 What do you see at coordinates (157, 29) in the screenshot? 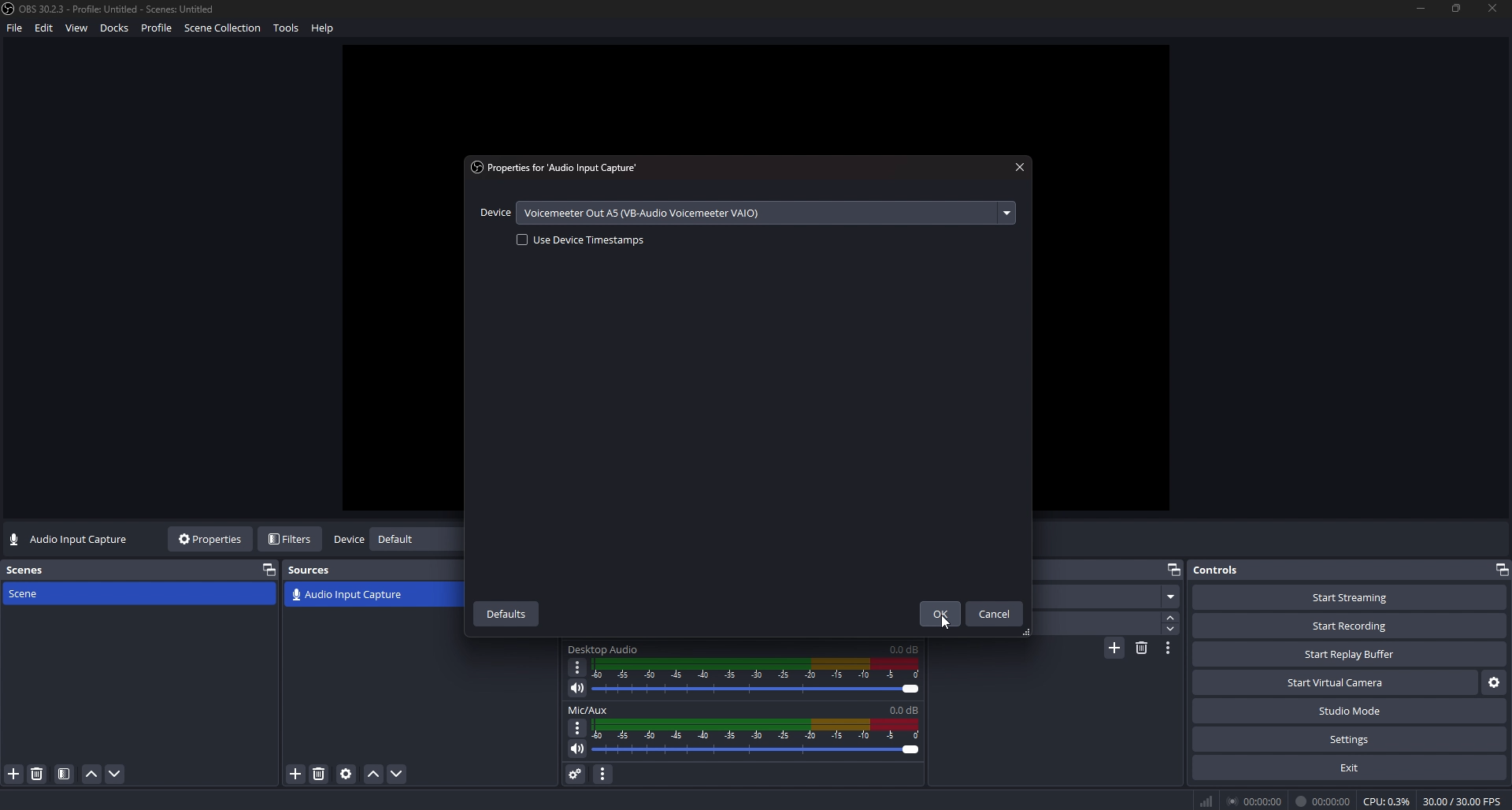
I see `Profile` at bounding box center [157, 29].